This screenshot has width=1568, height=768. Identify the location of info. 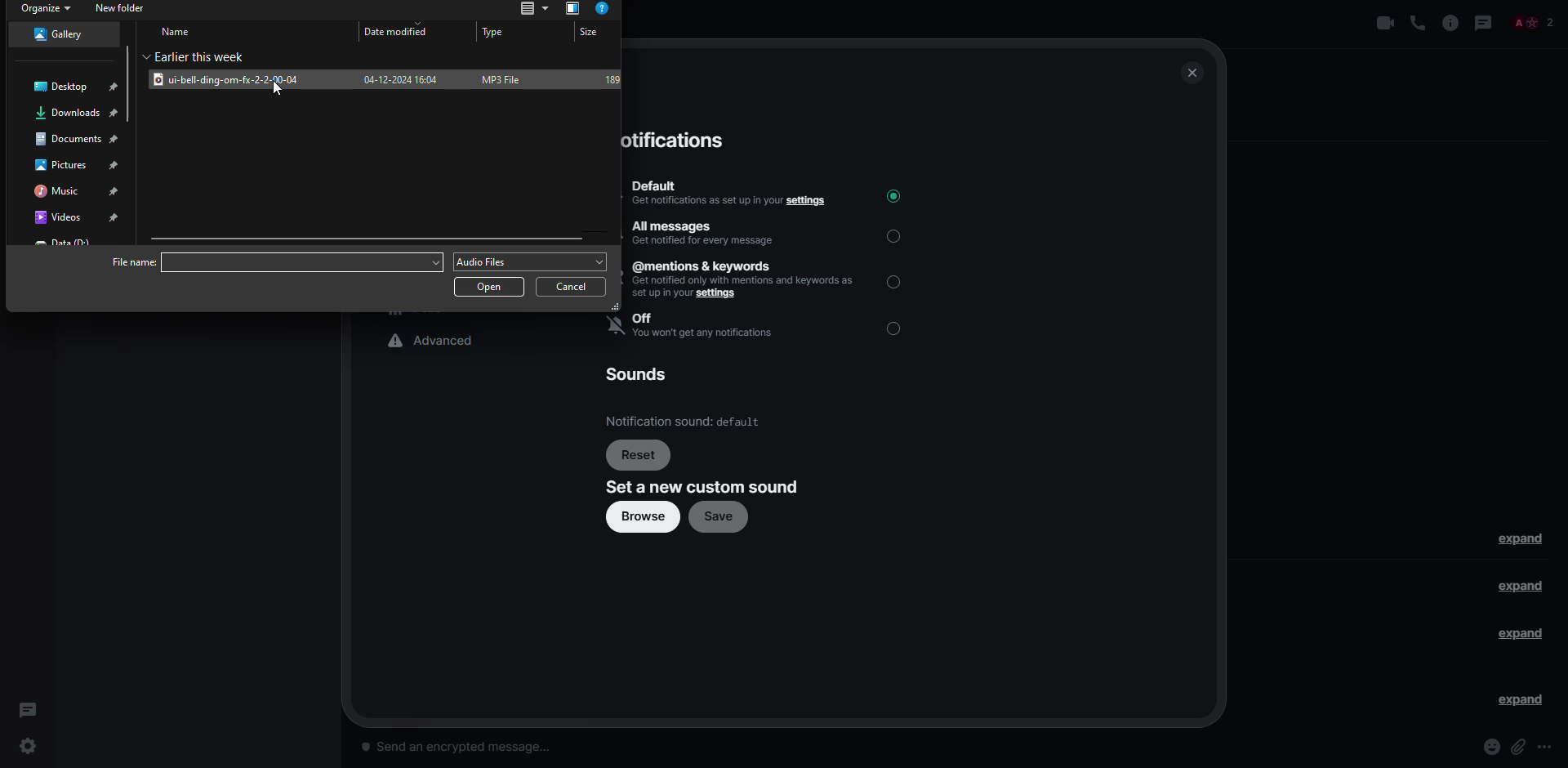
(1450, 22).